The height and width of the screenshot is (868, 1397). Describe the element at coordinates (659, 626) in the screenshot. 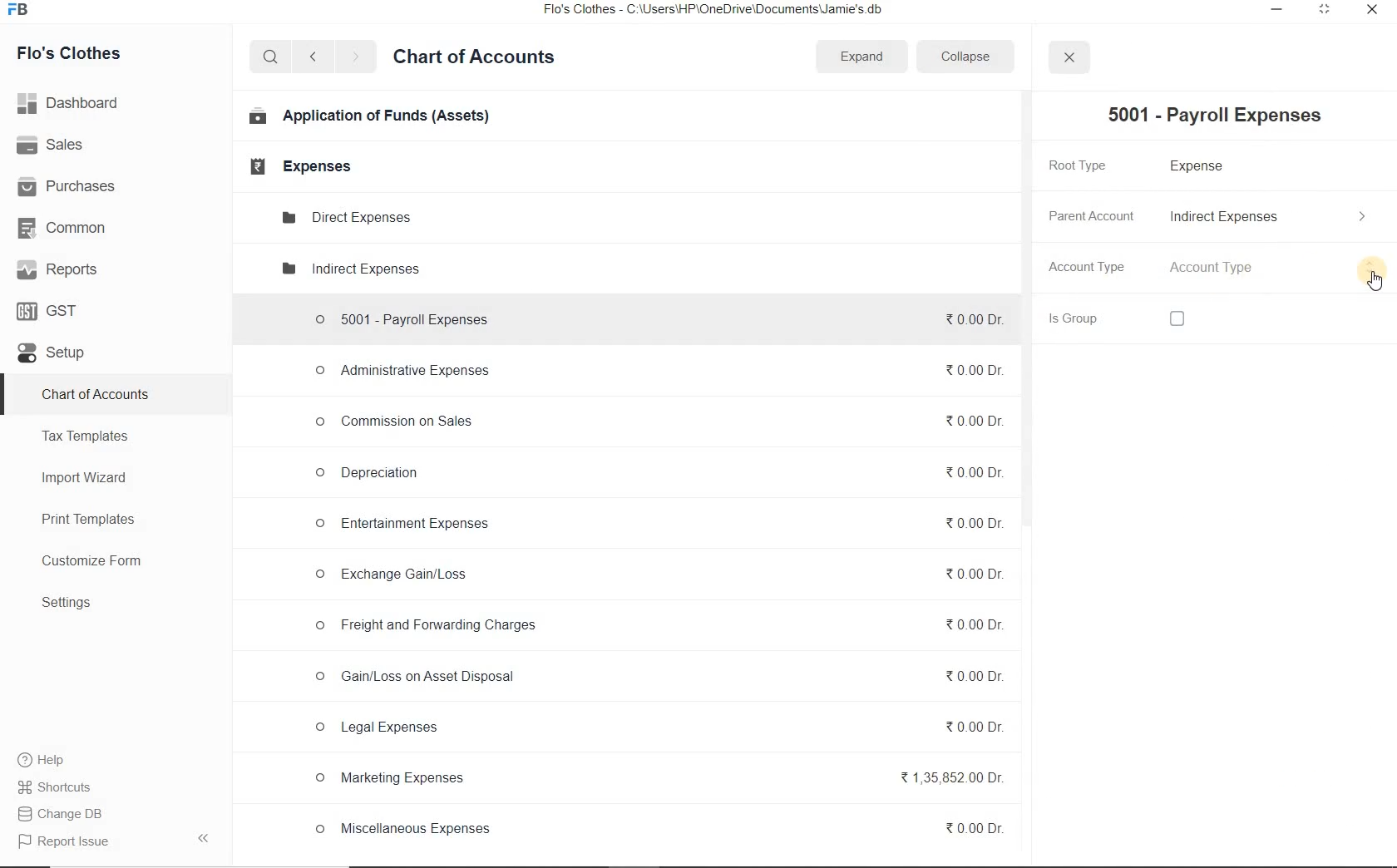

I see `© Freight and Forwarding Charges 0.00 Dr.` at that location.